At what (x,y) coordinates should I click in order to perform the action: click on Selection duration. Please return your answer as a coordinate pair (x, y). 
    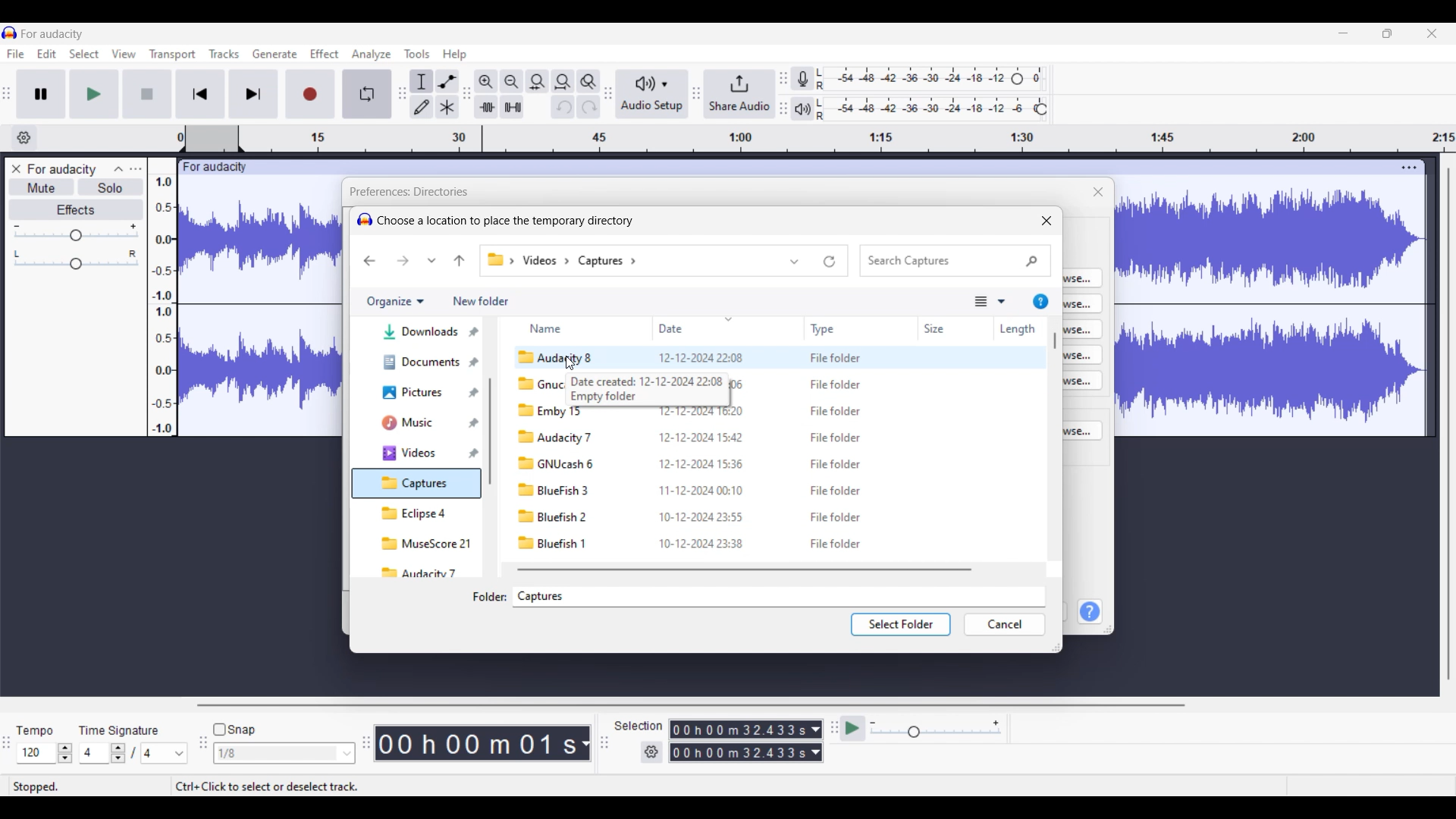
    Looking at the image, I should click on (739, 741).